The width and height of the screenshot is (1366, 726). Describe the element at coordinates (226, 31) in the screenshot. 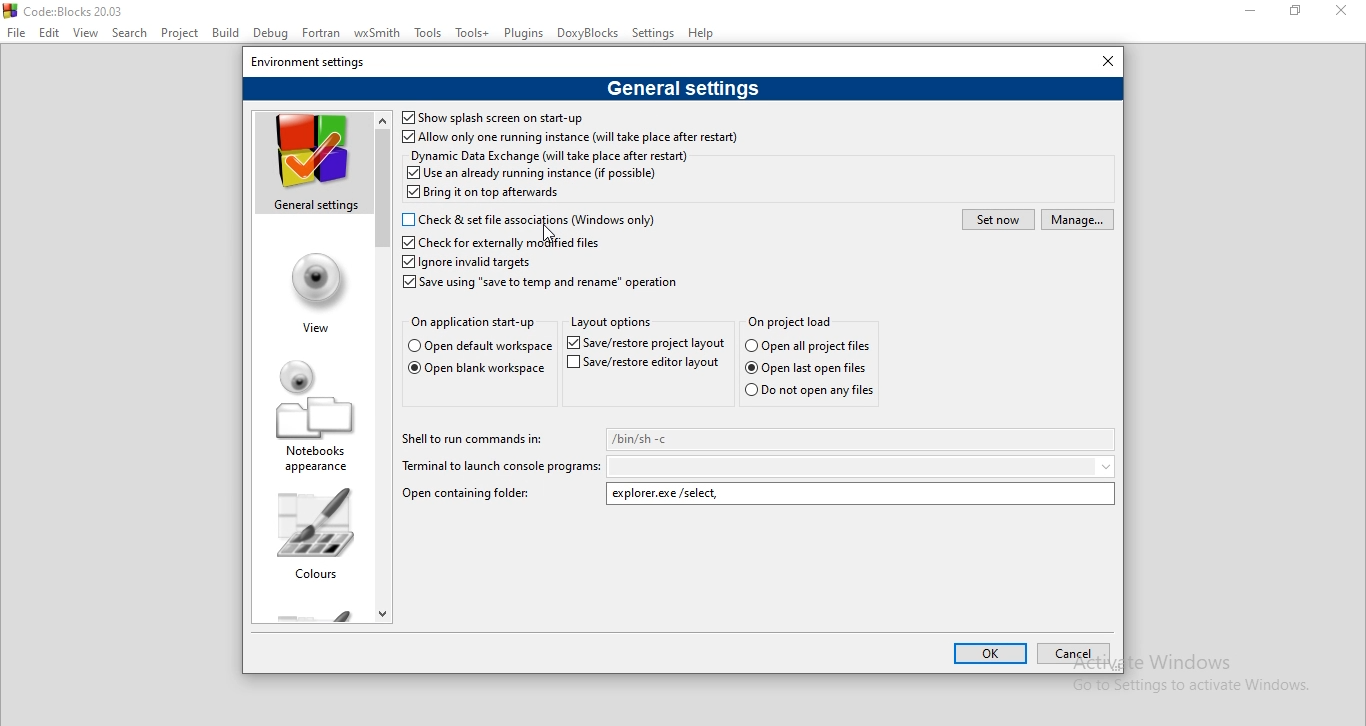

I see `Build` at that location.